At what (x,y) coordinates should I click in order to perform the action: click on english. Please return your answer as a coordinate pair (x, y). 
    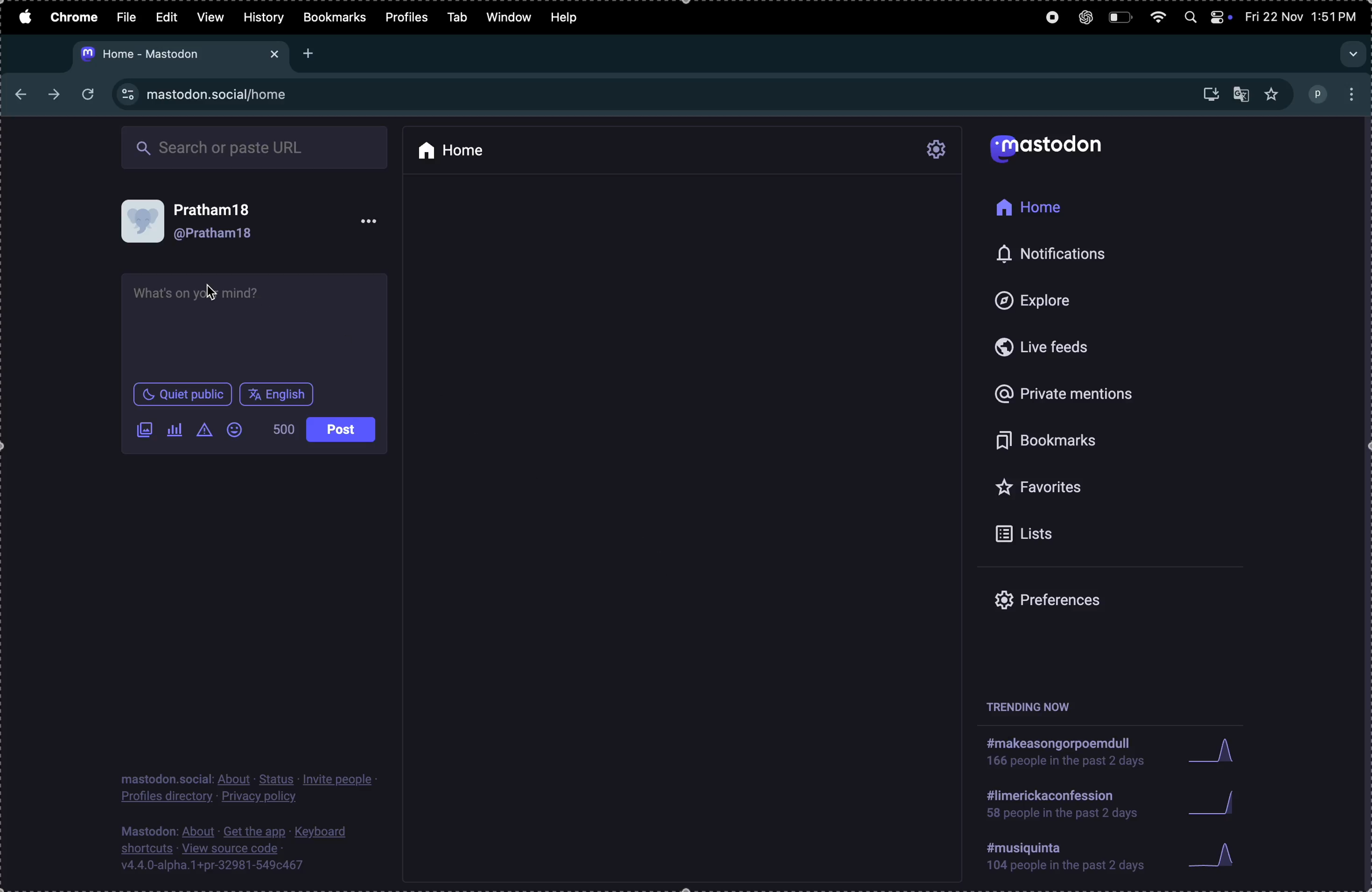
    Looking at the image, I should click on (275, 394).